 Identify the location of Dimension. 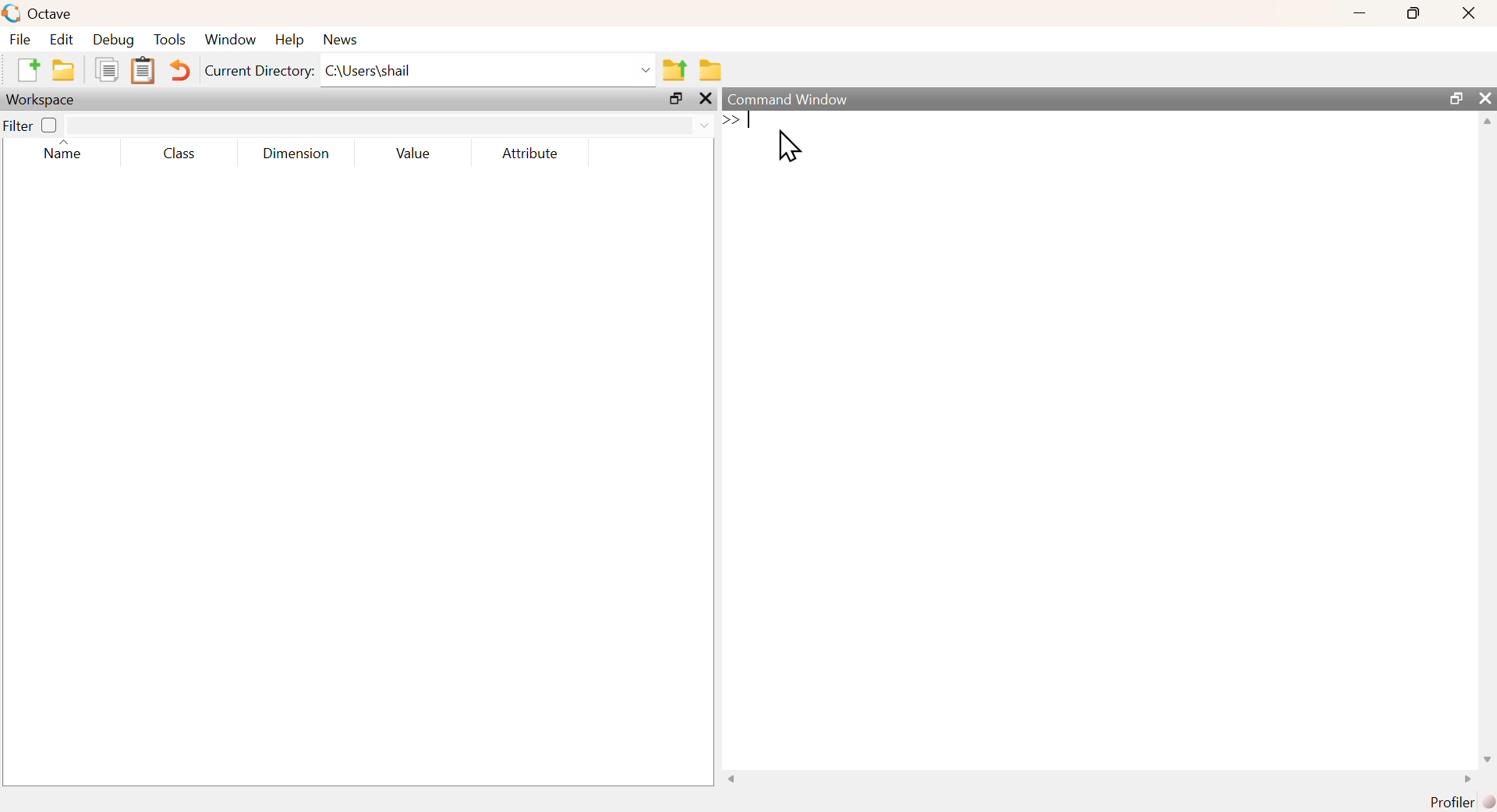
(299, 154).